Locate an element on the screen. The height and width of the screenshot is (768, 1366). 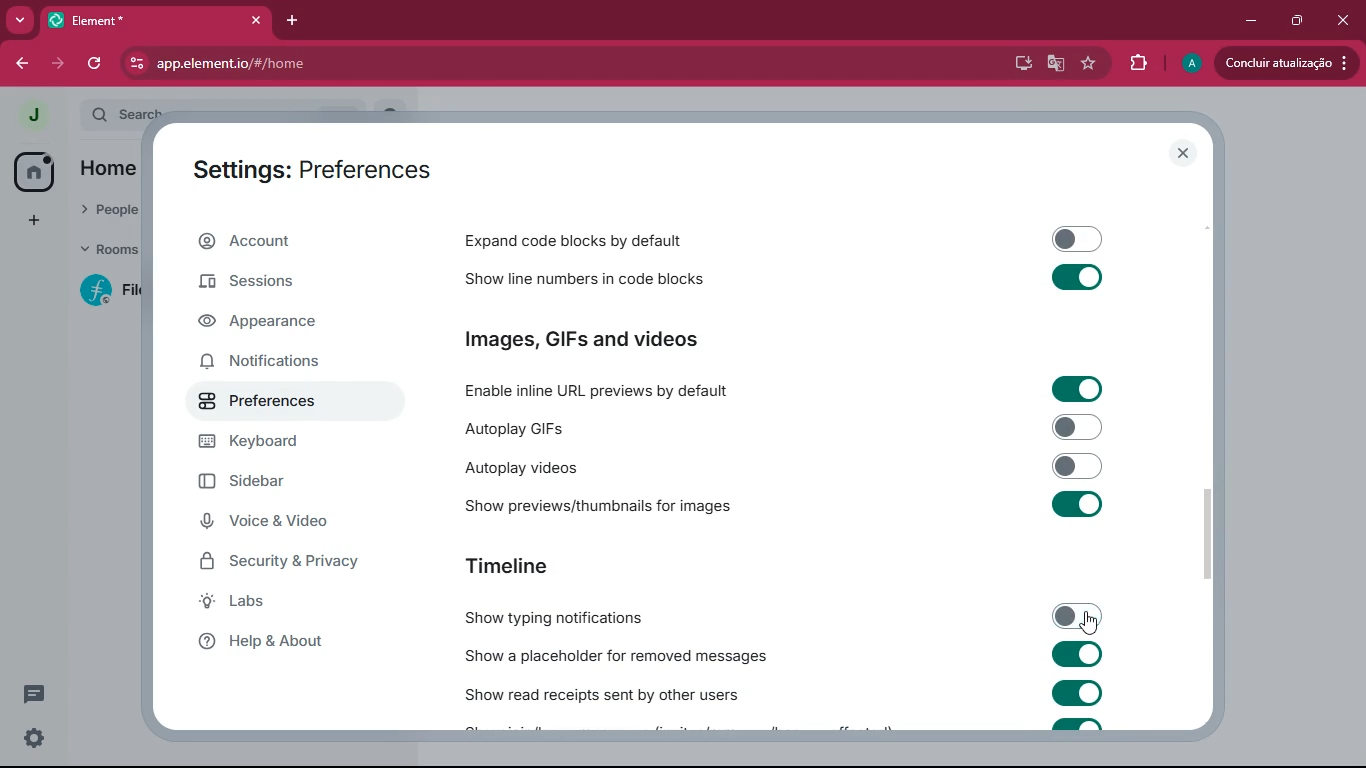
threads is located at coordinates (36, 693).